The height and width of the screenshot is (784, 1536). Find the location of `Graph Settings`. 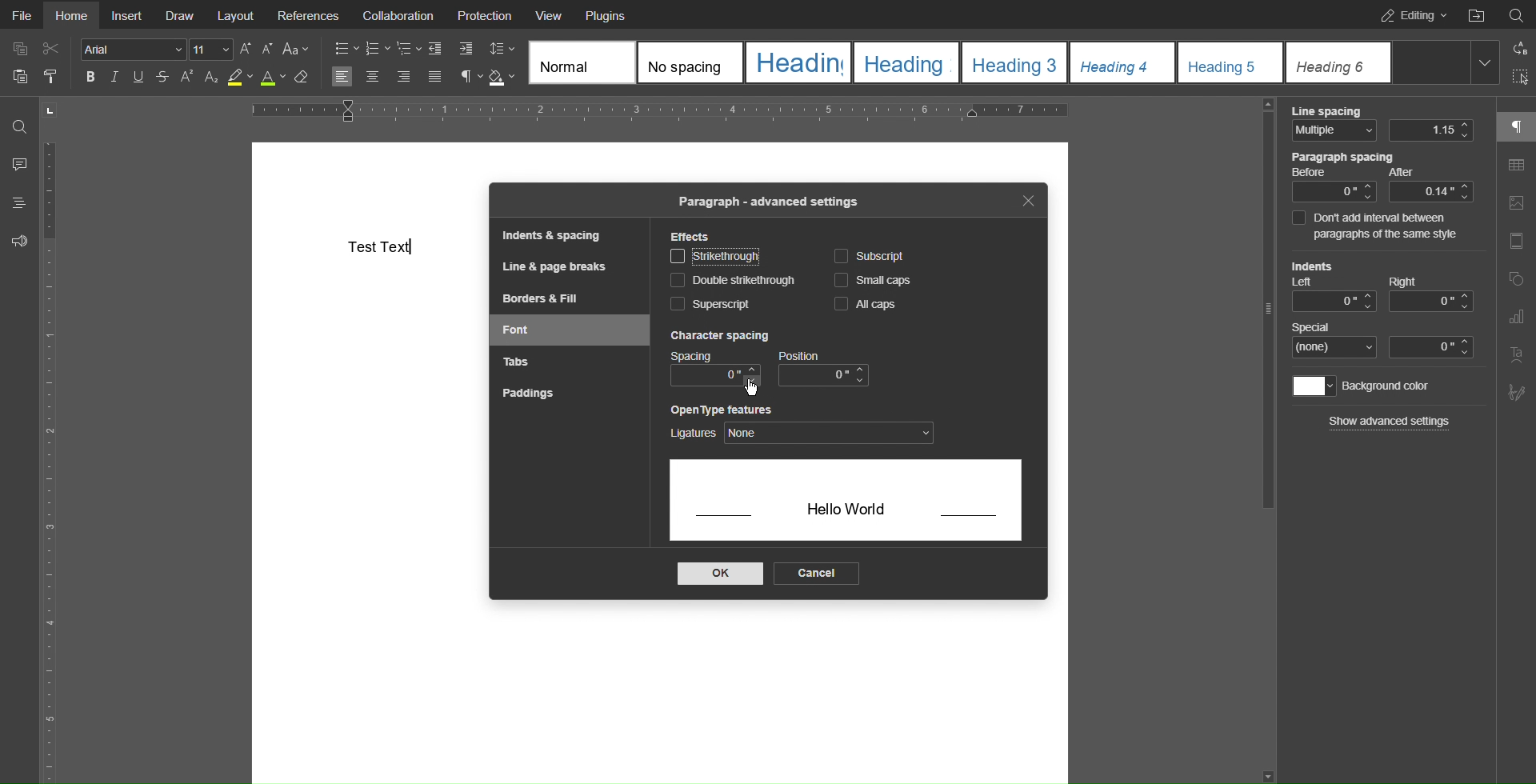

Graph Settings is located at coordinates (1516, 317).